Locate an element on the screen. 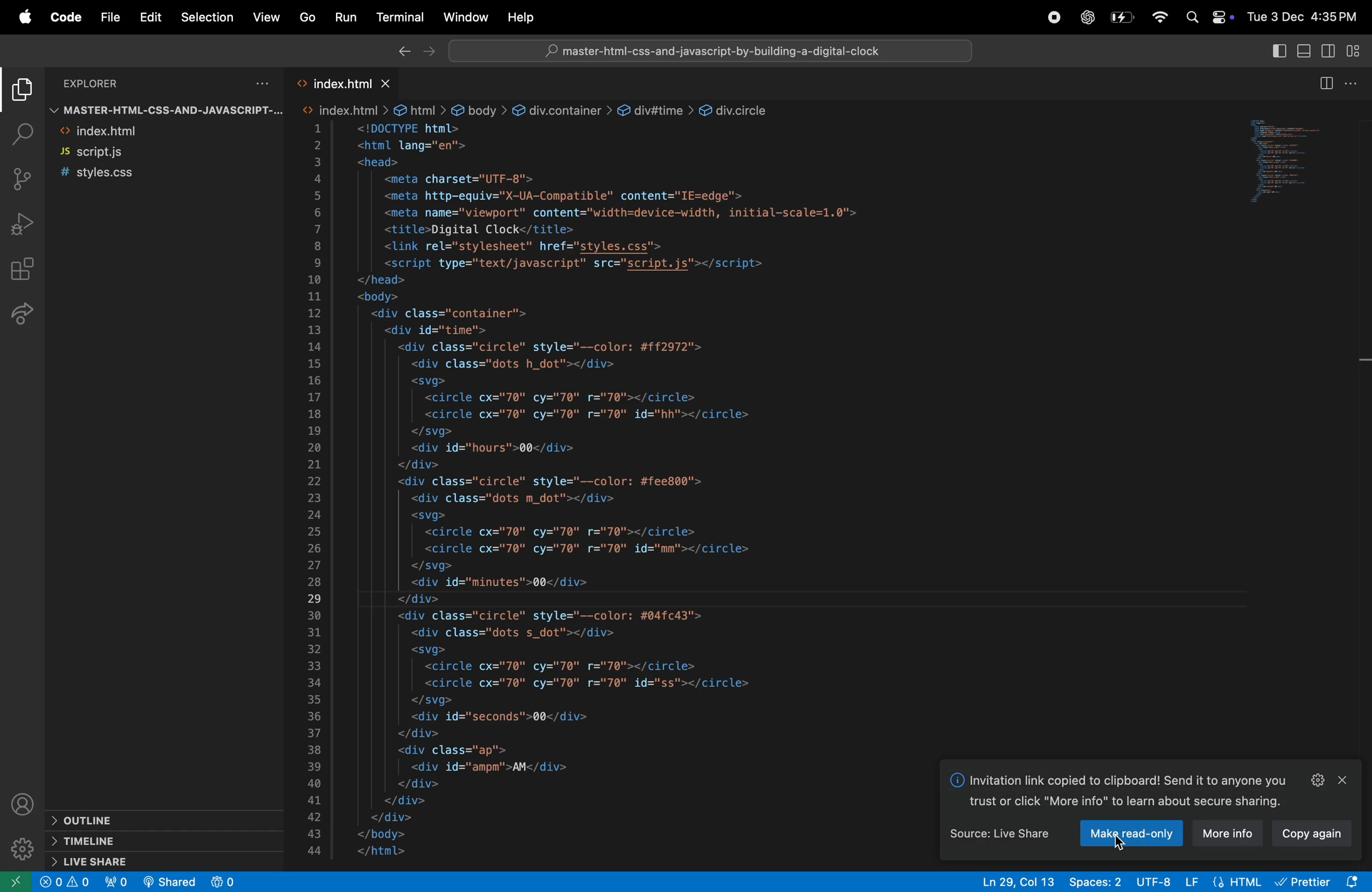 The image size is (1372, 892). search is located at coordinates (22, 134).